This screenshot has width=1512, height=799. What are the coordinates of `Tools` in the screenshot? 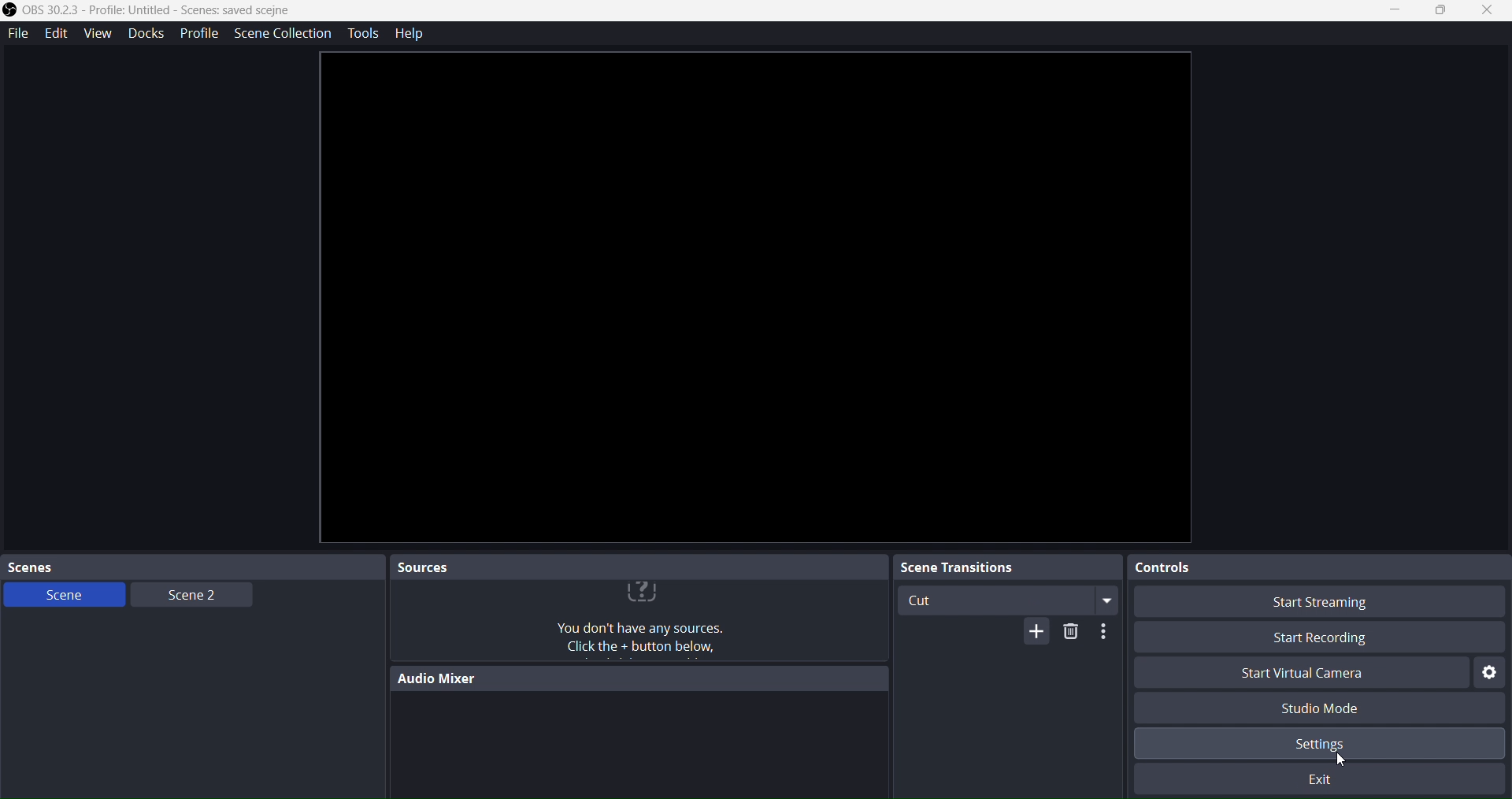 It's located at (361, 34).